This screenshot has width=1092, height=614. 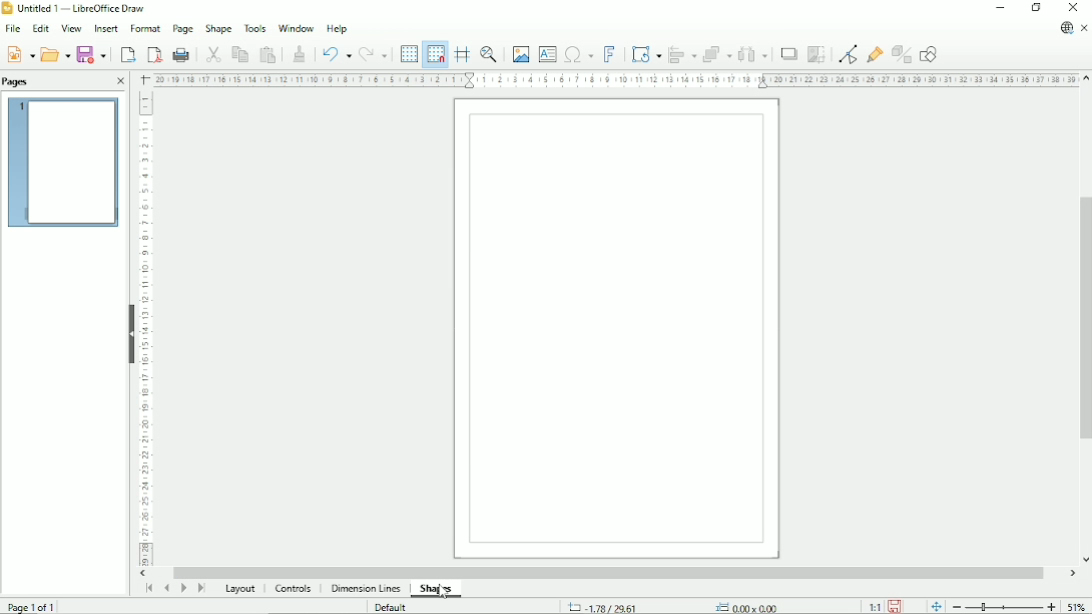 What do you see at coordinates (1085, 318) in the screenshot?
I see `Vertical scrollbar` at bounding box center [1085, 318].